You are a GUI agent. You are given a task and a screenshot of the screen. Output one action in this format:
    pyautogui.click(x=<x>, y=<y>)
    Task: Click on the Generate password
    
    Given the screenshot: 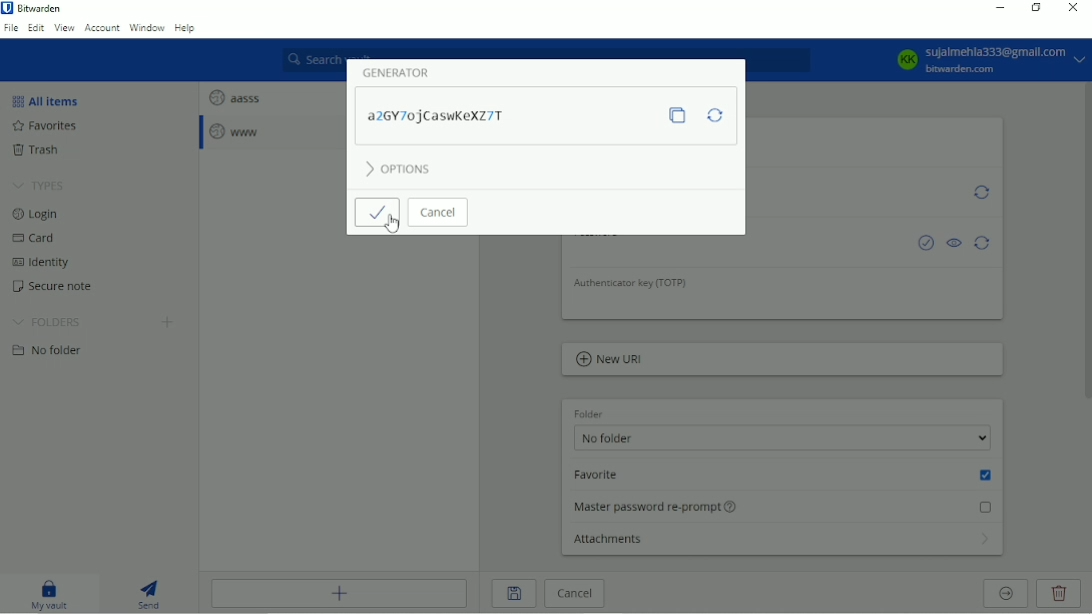 What is the action you would take?
    pyautogui.click(x=984, y=242)
    